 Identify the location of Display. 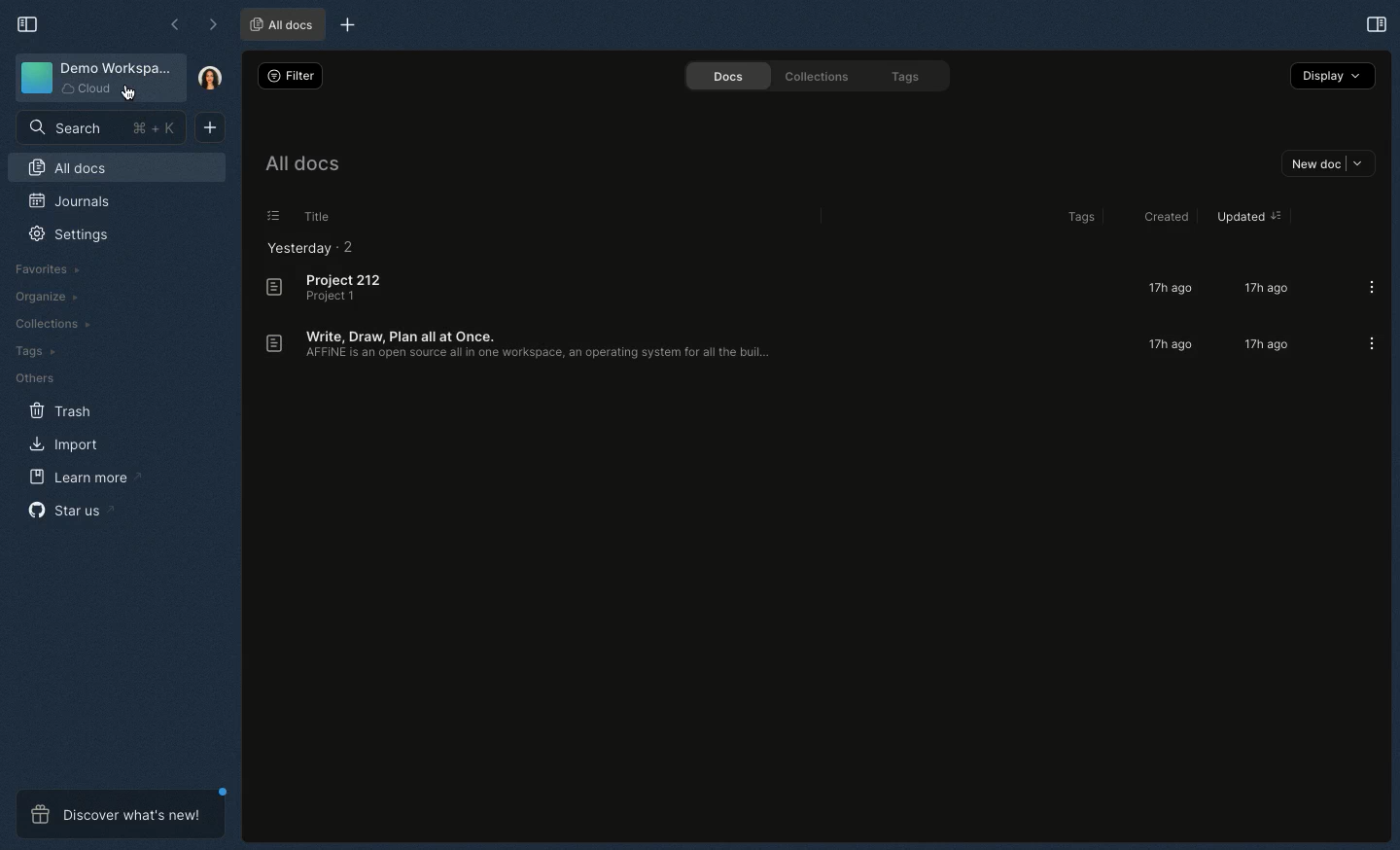
(1331, 75).